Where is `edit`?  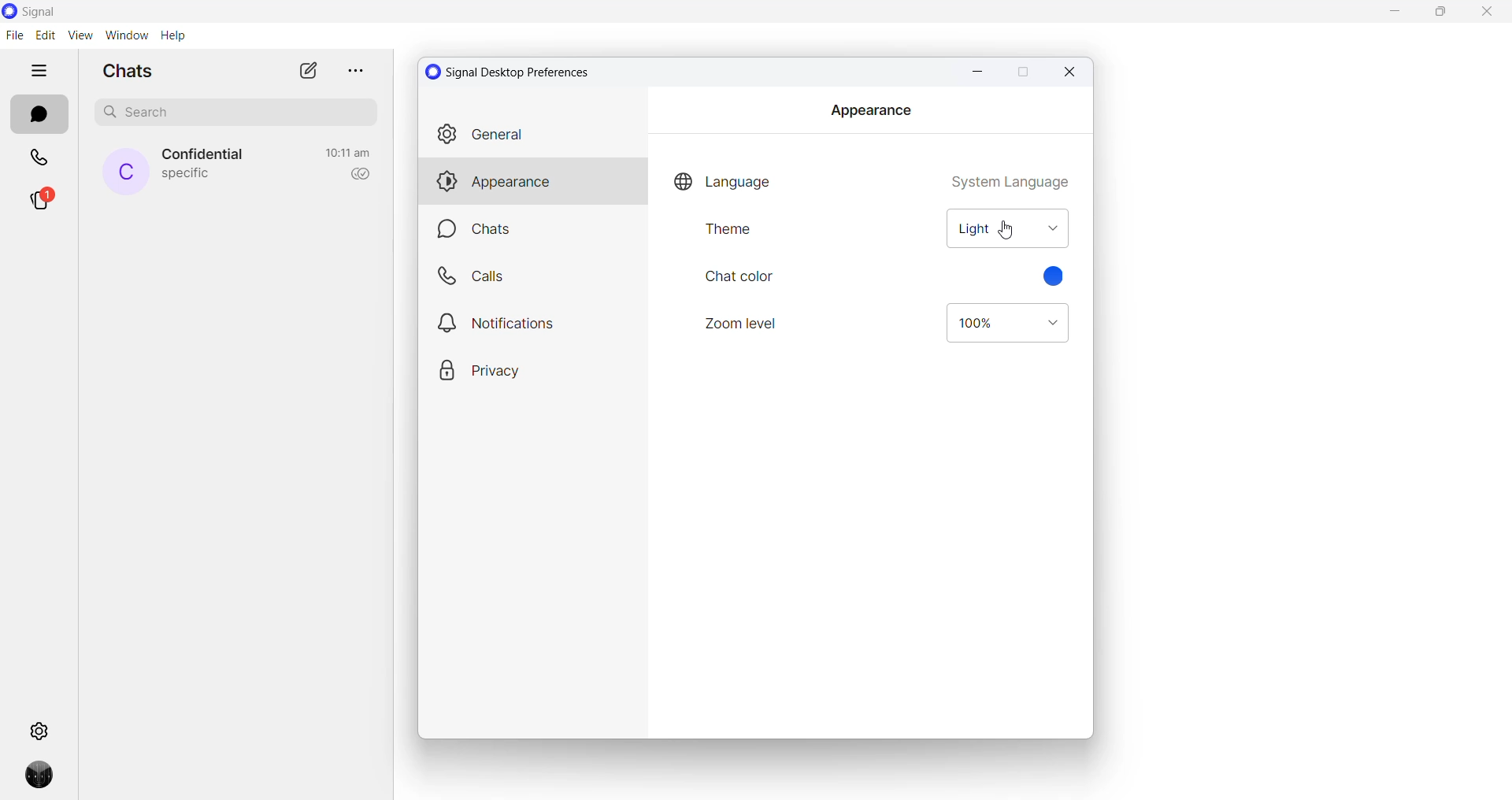 edit is located at coordinates (45, 35).